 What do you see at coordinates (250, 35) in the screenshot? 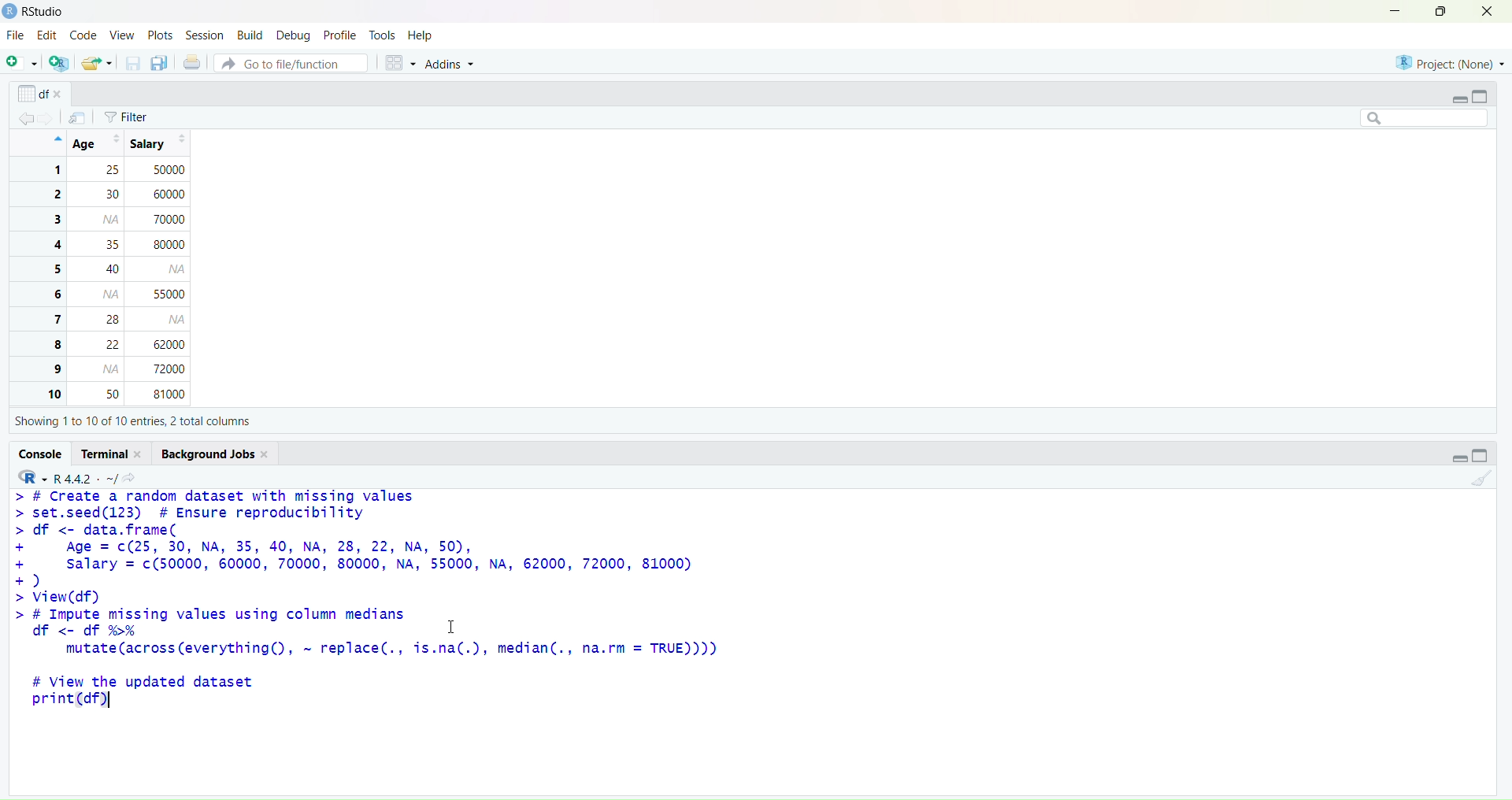
I see `build` at bounding box center [250, 35].